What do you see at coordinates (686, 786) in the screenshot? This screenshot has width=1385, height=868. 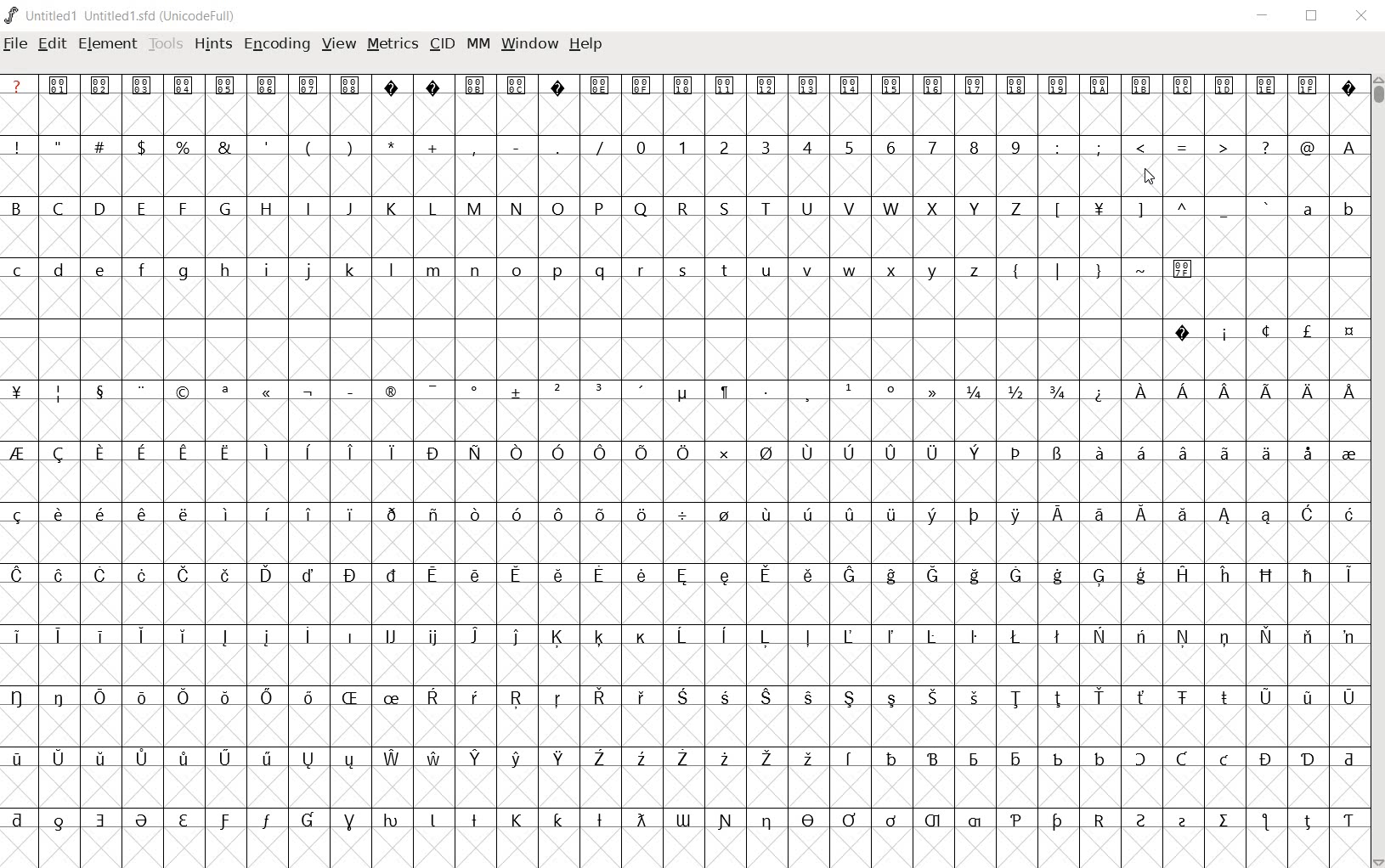 I see `empty cells` at bounding box center [686, 786].